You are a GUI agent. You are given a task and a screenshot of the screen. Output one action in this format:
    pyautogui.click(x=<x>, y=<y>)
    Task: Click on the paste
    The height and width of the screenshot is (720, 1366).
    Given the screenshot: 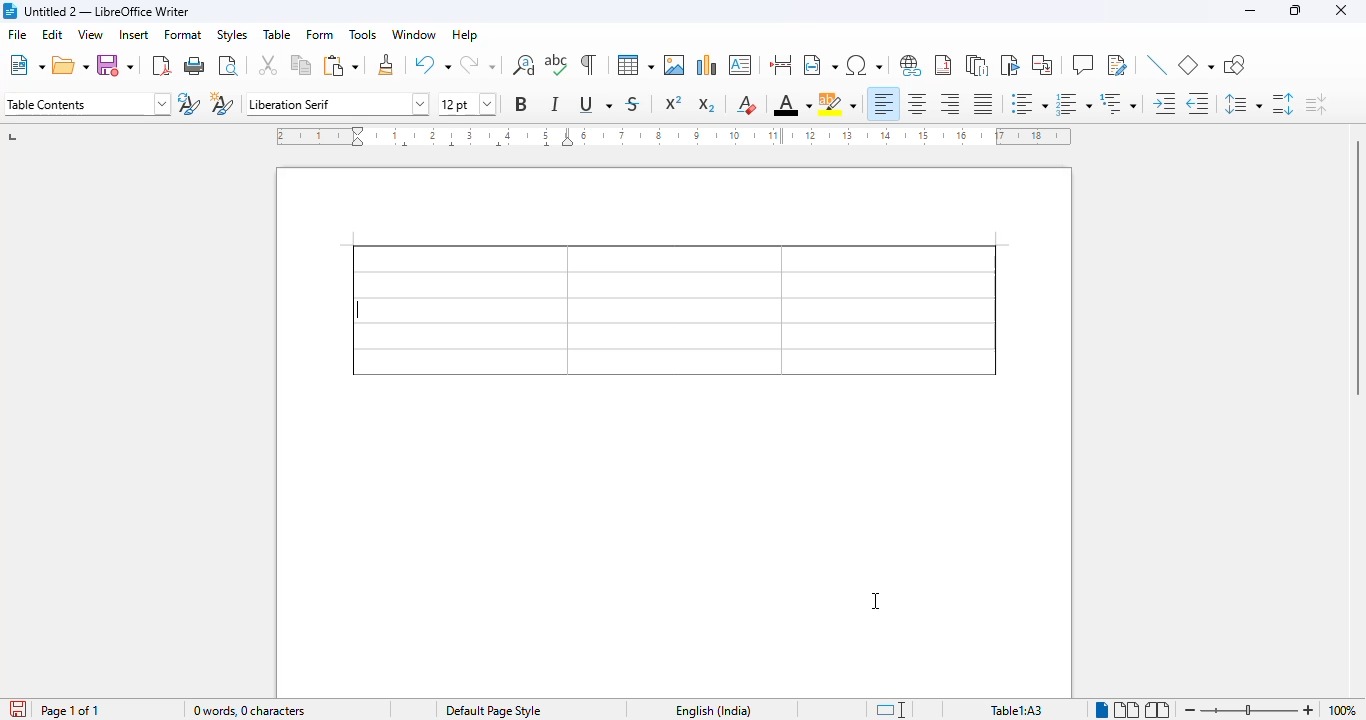 What is the action you would take?
    pyautogui.click(x=341, y=65)
    